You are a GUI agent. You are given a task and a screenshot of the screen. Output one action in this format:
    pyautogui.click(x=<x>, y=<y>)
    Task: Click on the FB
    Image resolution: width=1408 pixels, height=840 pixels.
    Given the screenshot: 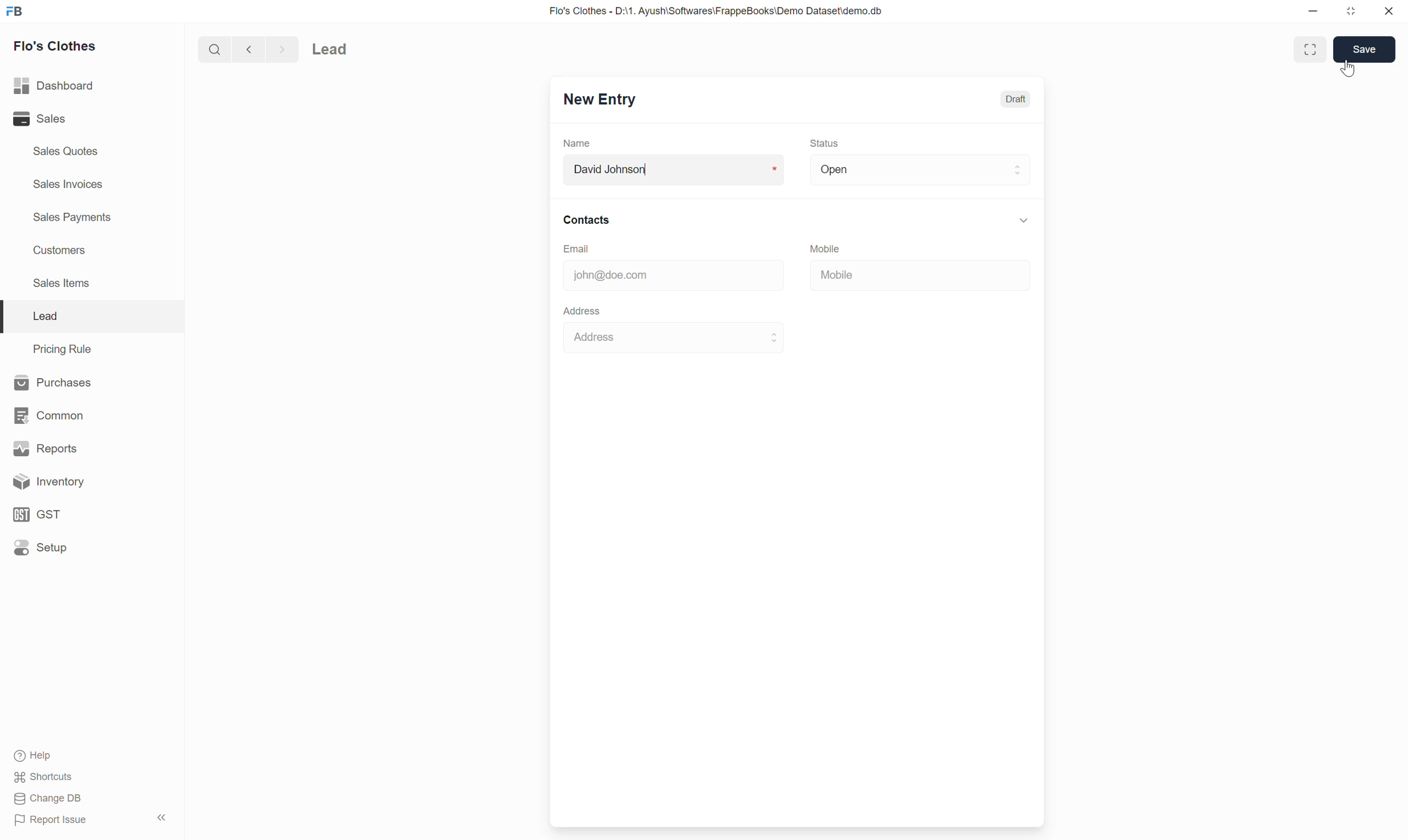 What is the action you would take?
    pyautogui.click(x=15, y=12)
    